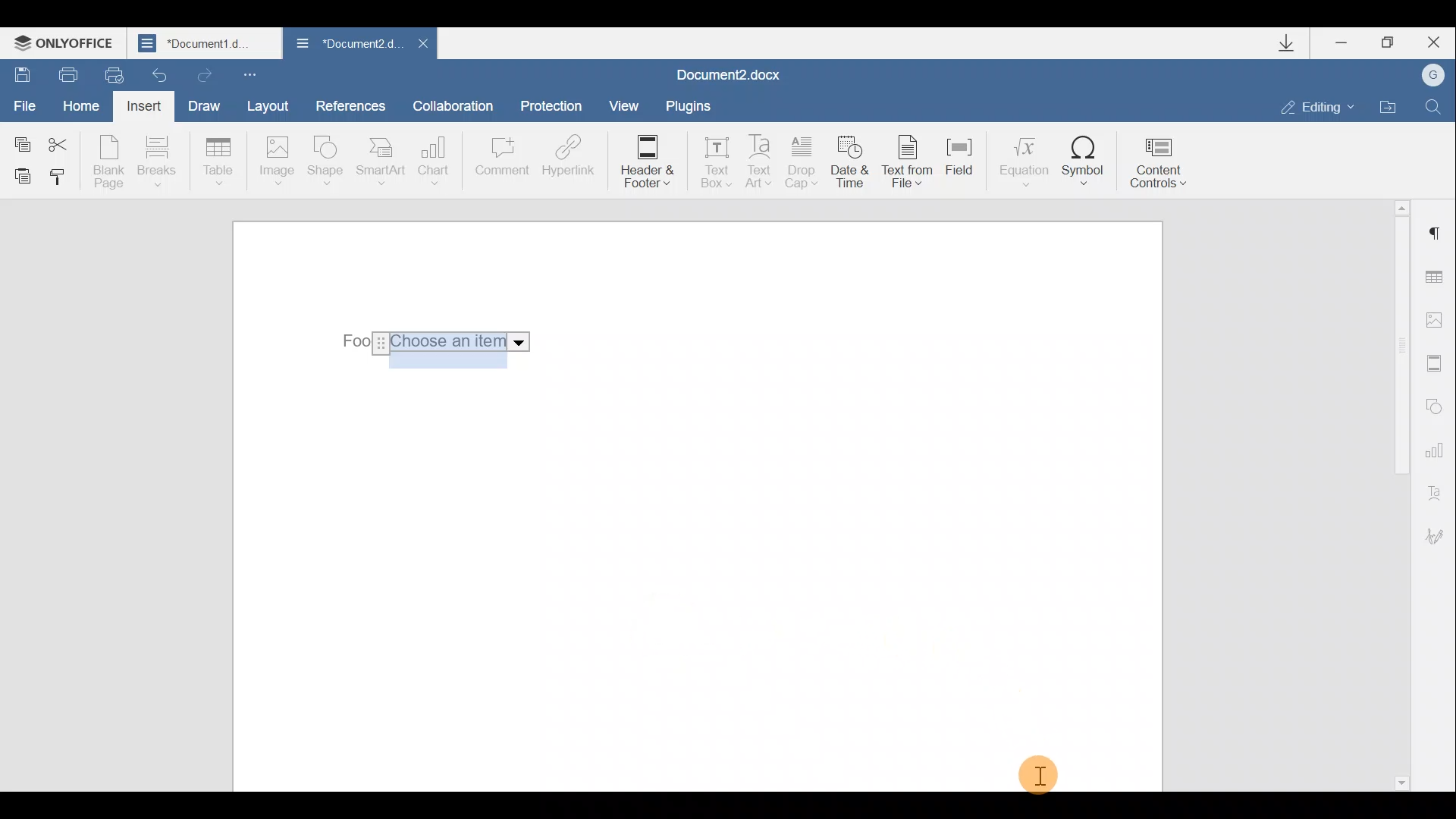 Image resolution: width=1456 pixels, height=819 pixels. I want to click on Find, so click(1434, 106).